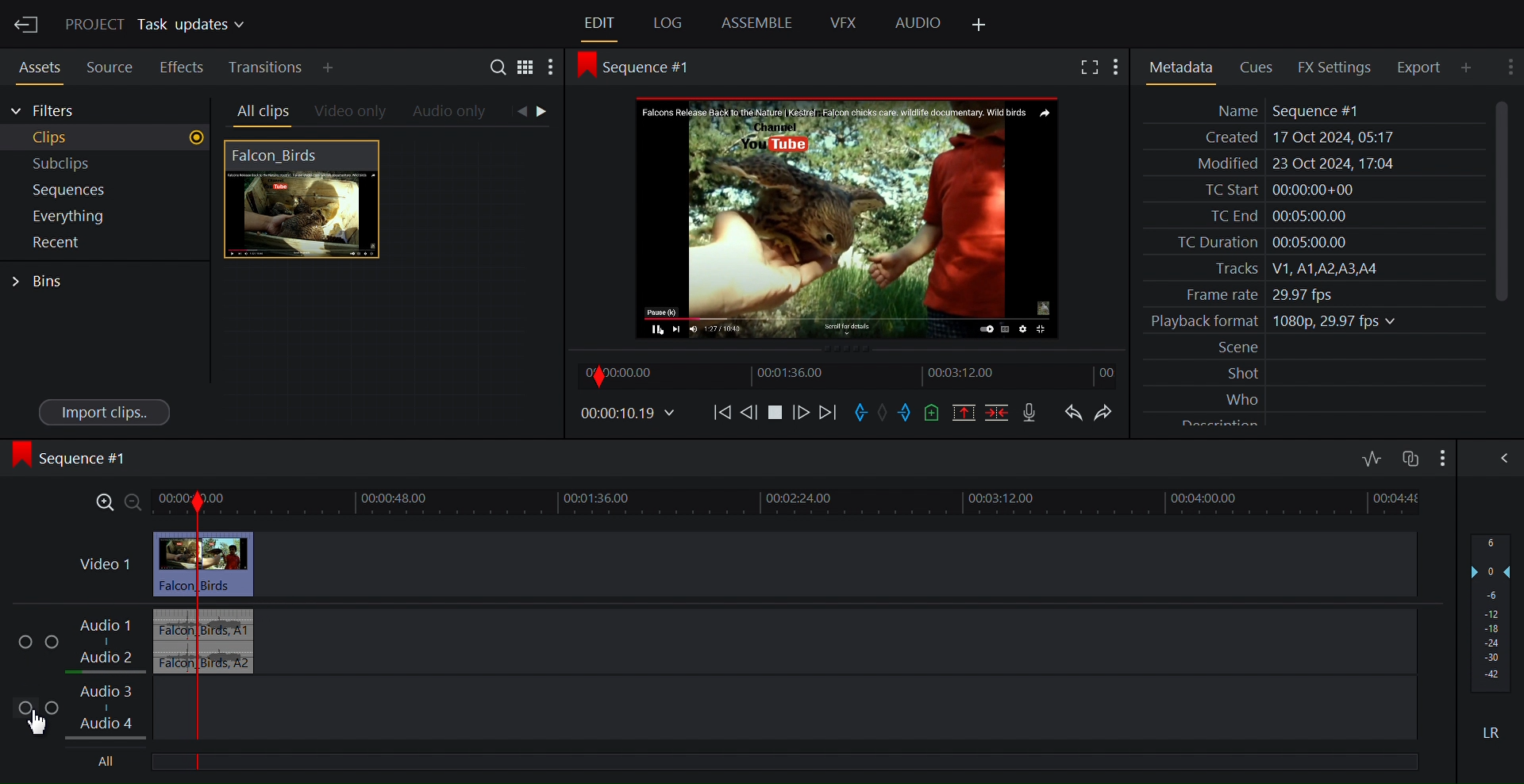 This screenshot has width=1524, height=784. Describe the element at coordinates (849, 217) in the screenshot. I see `Media viewer` at that location.